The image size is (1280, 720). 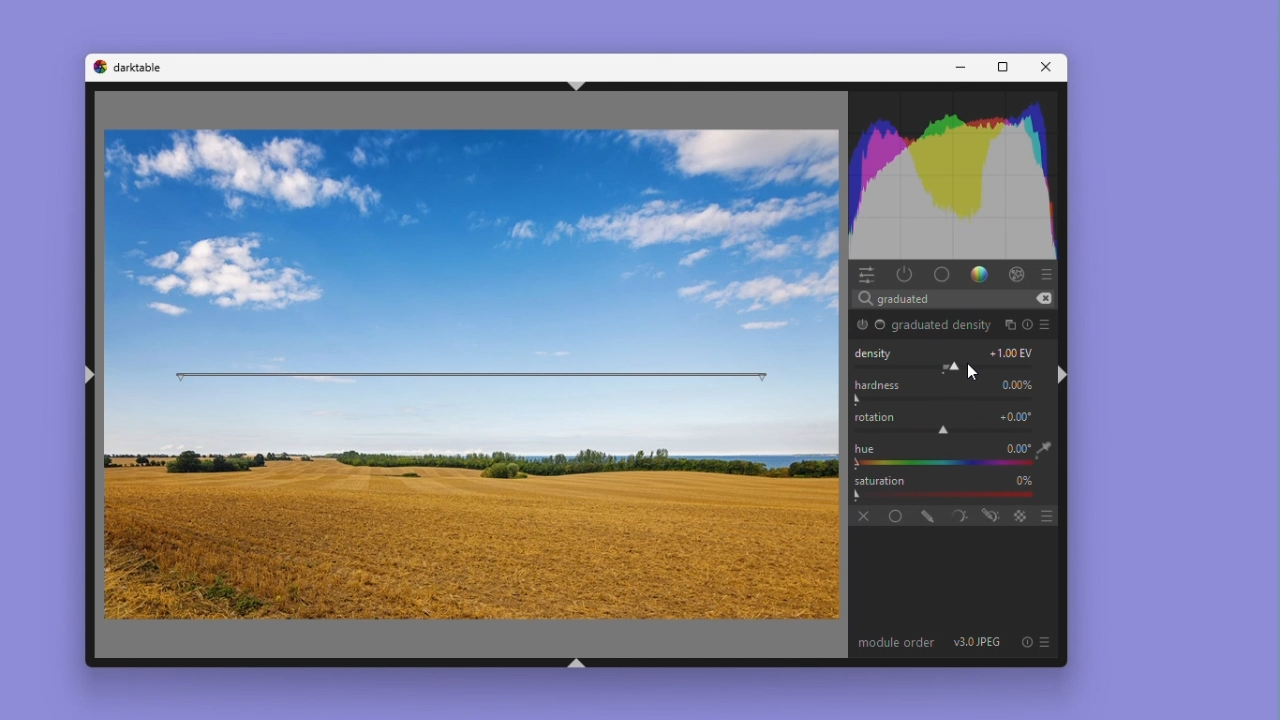 What do you see at coordinates (956, 516) in the screenshot?
I see `parametric mask` at bounding box center [956, 516].